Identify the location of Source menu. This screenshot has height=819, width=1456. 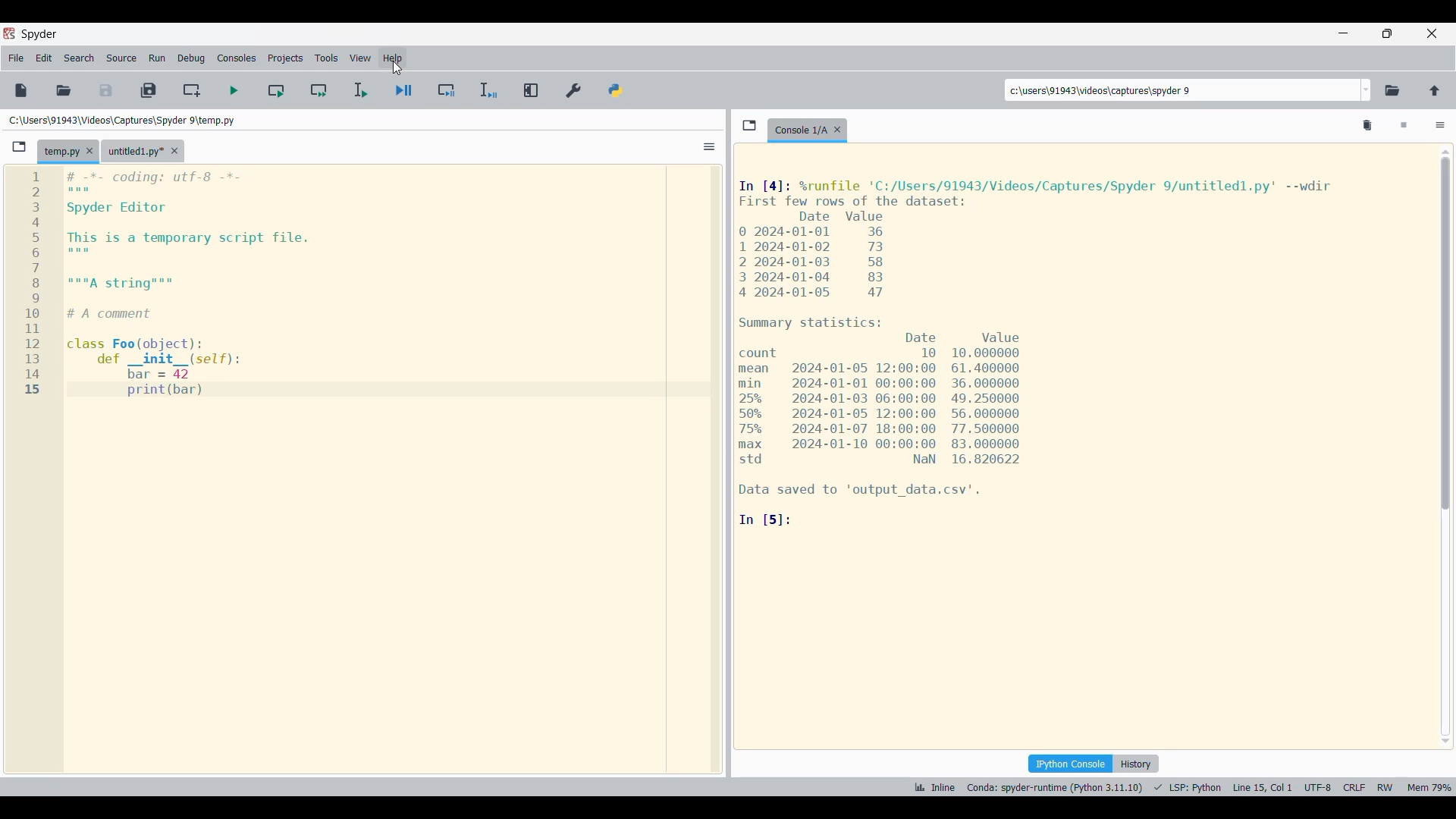
(121, 58).